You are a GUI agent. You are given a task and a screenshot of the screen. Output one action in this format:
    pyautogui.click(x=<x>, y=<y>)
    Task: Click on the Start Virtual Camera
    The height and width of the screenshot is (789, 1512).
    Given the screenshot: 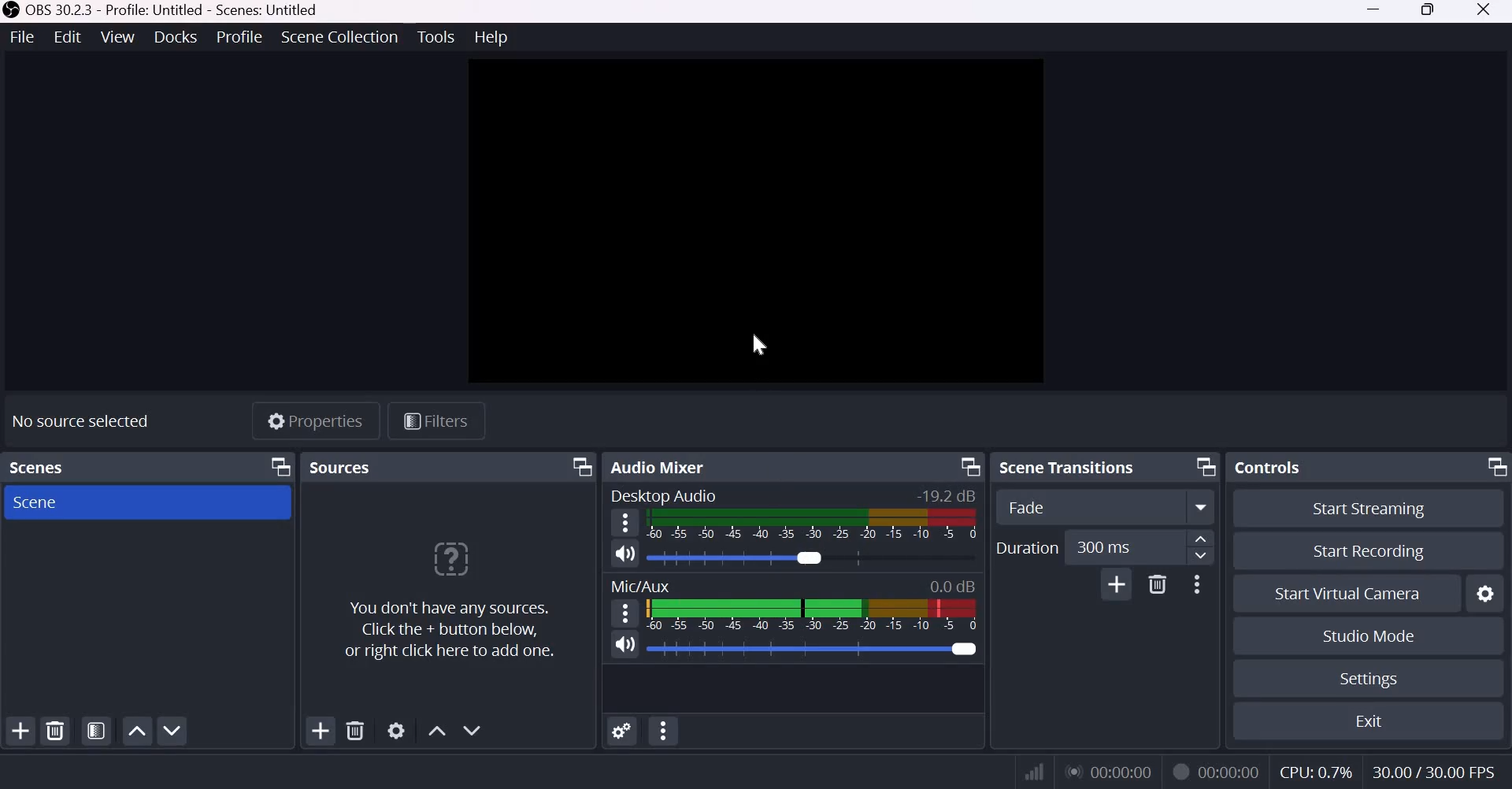 What is the action you would take?
    pyautogui.click(x=1348, y=595)
    